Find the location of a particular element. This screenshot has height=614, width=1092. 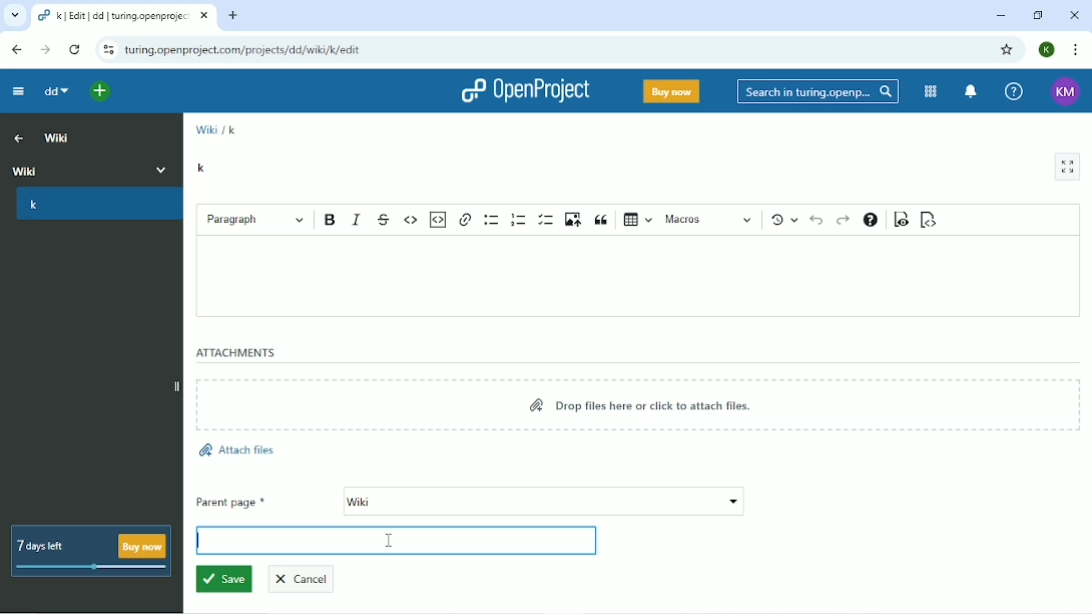

Collapse project menu is located at coordinates (18, 91).